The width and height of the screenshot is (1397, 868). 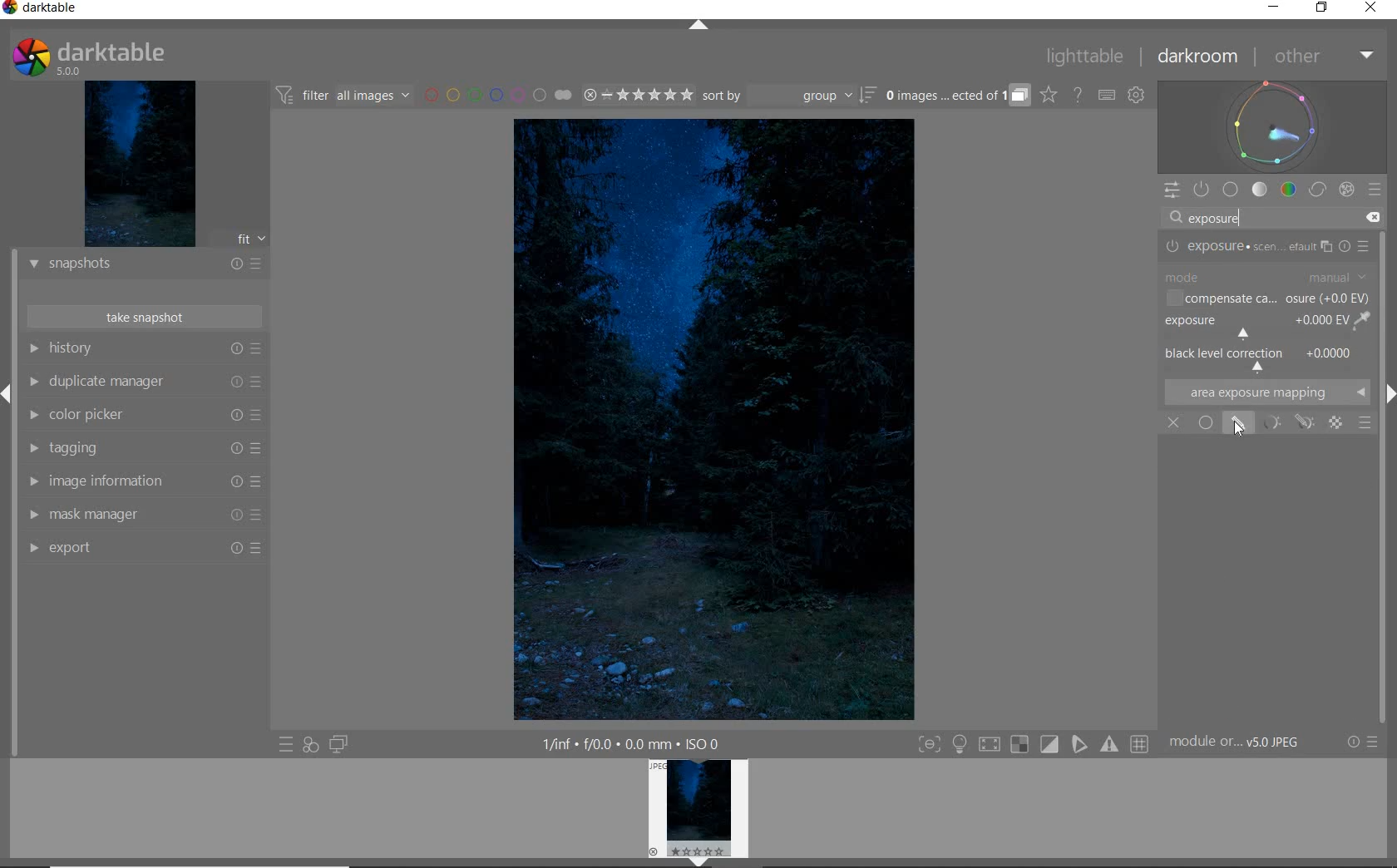 I want to click on MODULE...v5.0 JPEG, so click(x=1235, y=744).